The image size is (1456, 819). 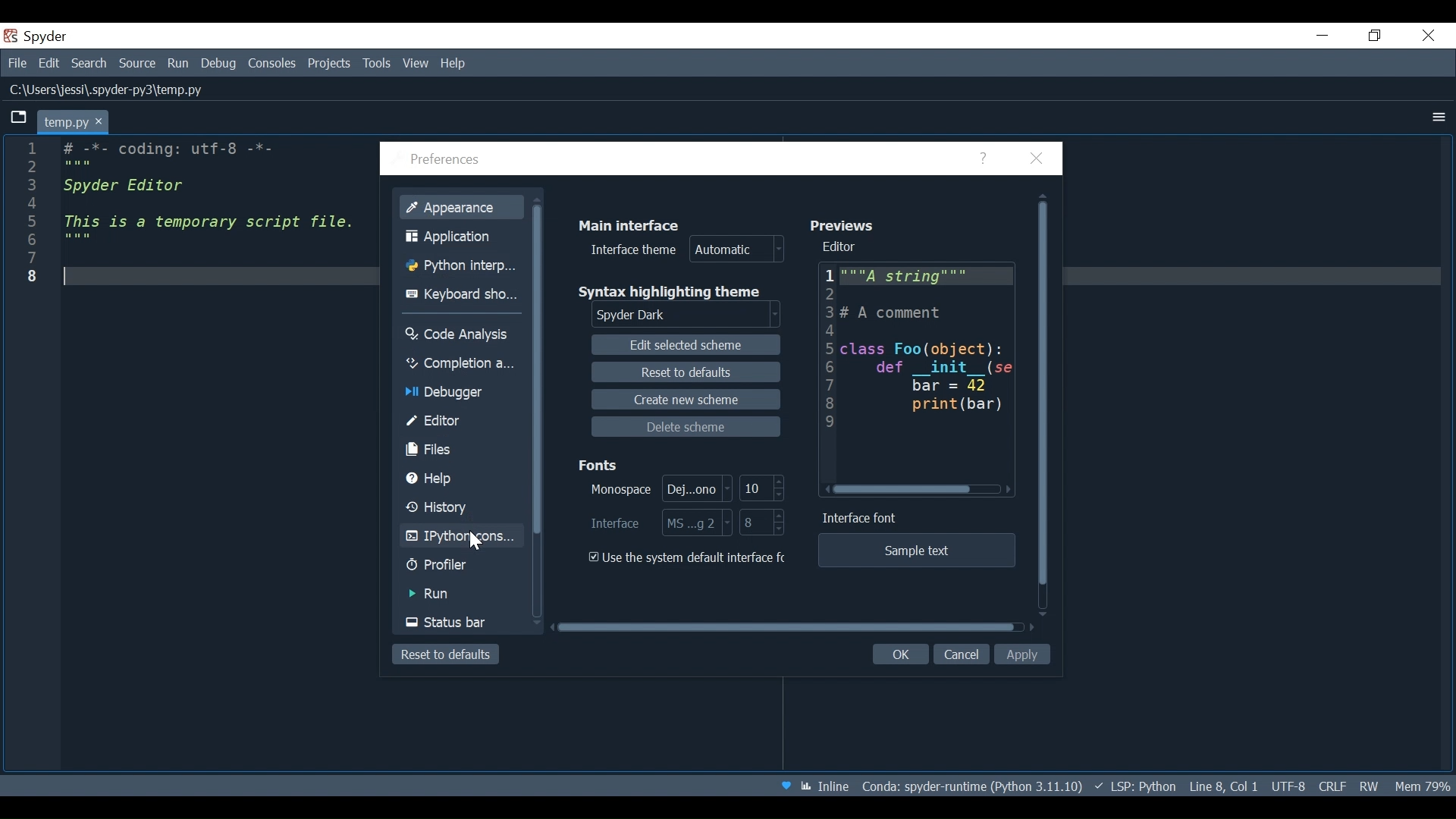 I want to click on Select Interface Font Size, so click(x=761, y=523).